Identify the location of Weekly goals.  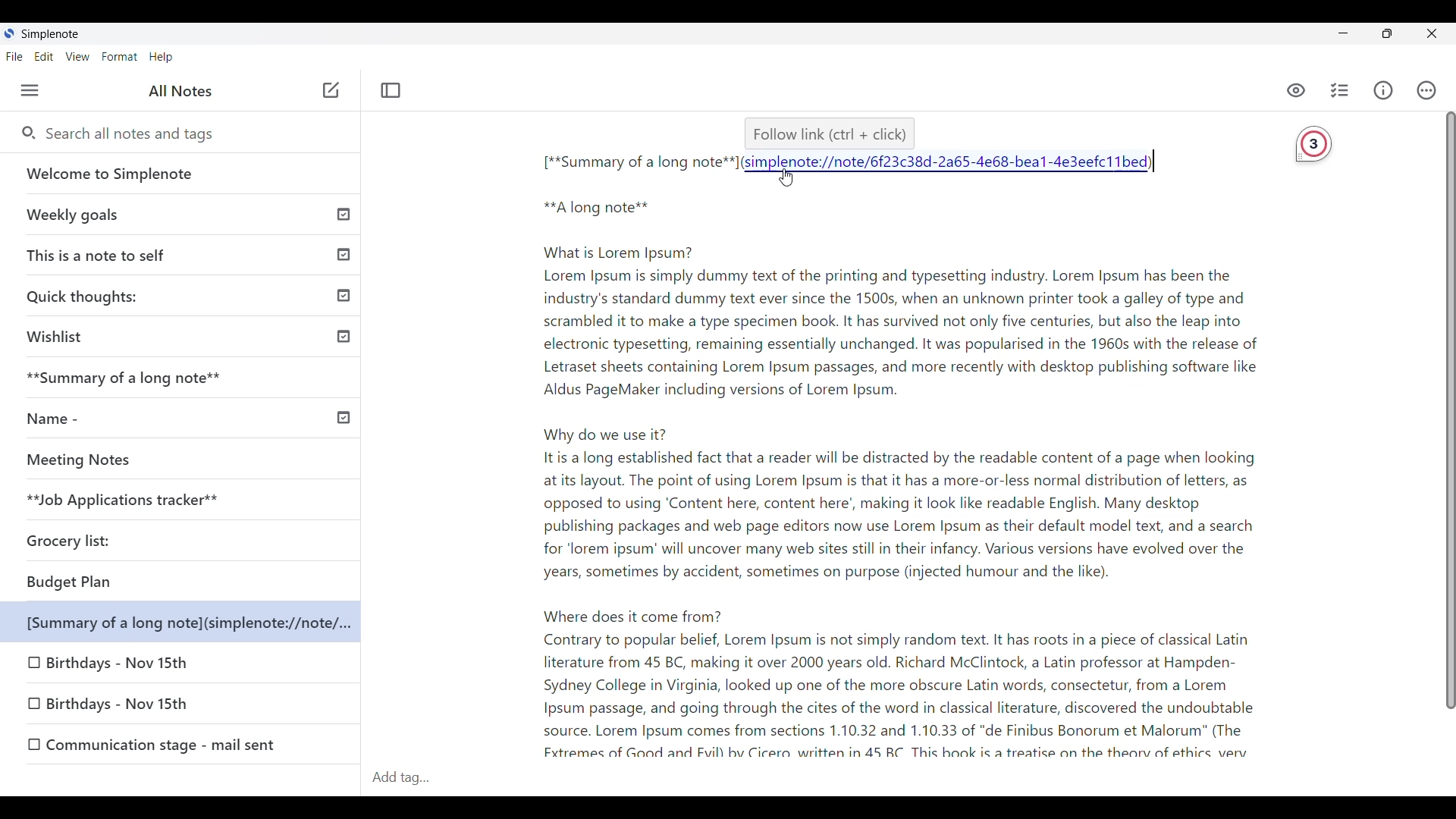
(181, 214).